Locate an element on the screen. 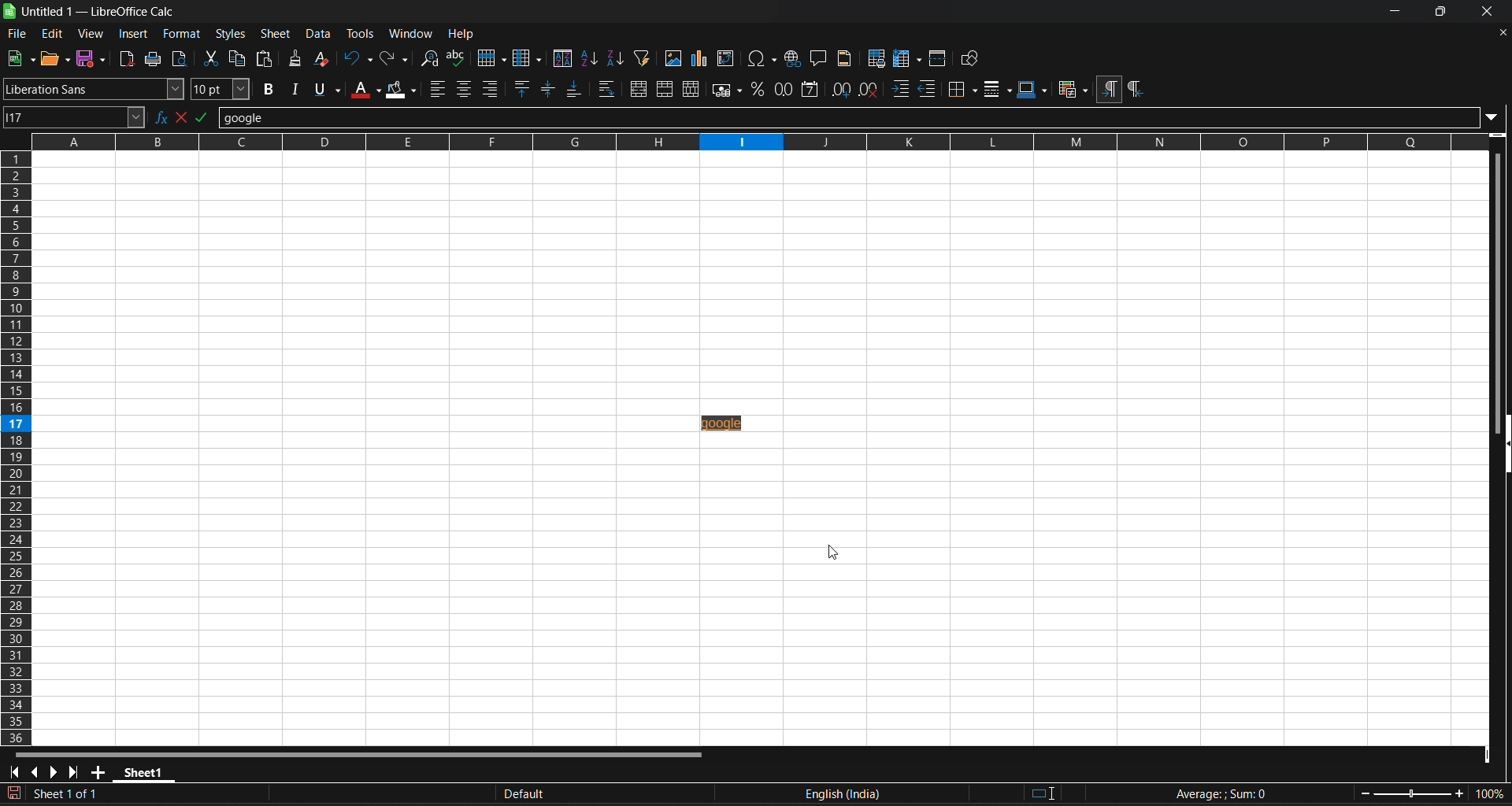 Image resolution: width=1512 pixels, height=806 pixels. formula is located at coordinates (210, 116).